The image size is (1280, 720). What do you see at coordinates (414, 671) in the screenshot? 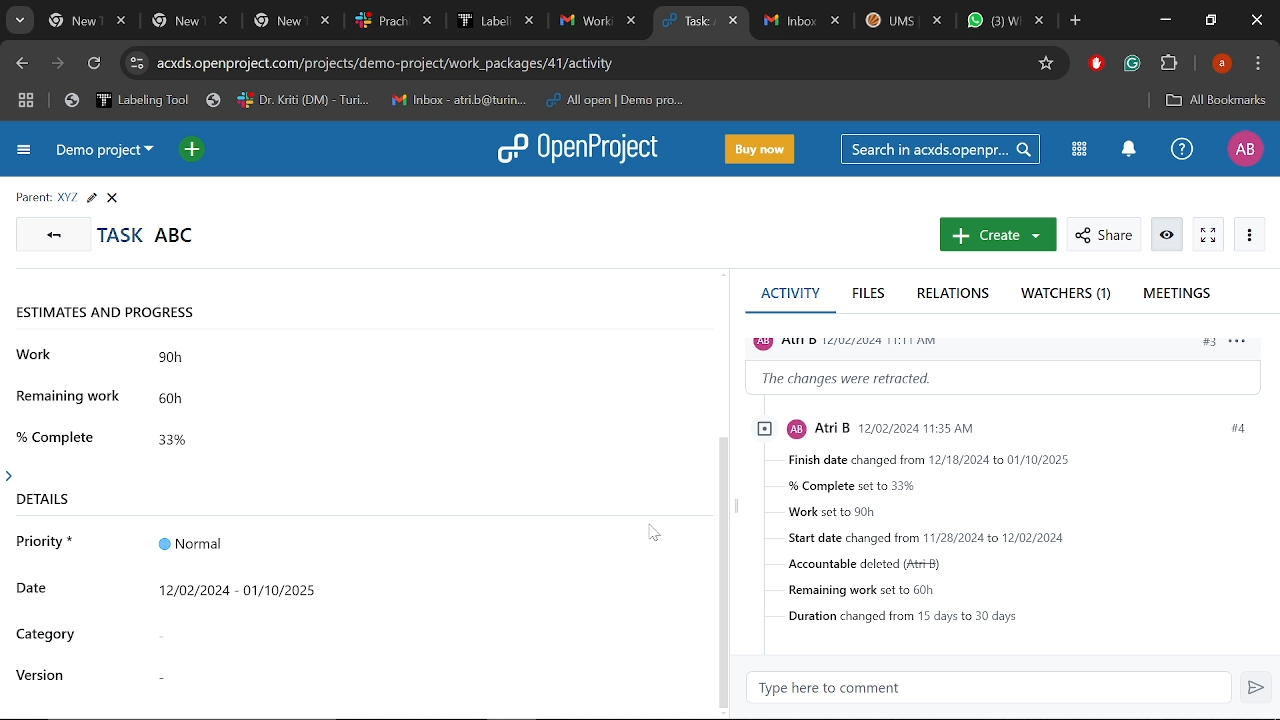
I see `Version` at bounding box center [414, 671].